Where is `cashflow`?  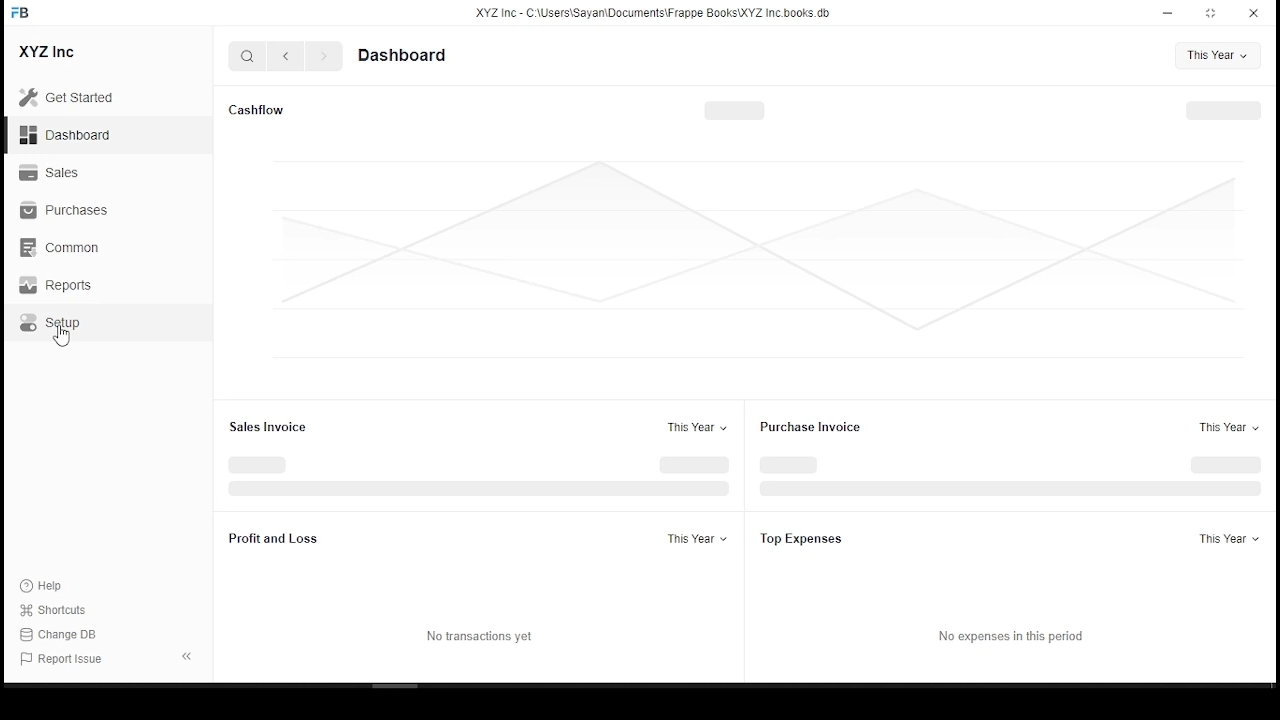
cashflow is located at coordinates (257, 110).